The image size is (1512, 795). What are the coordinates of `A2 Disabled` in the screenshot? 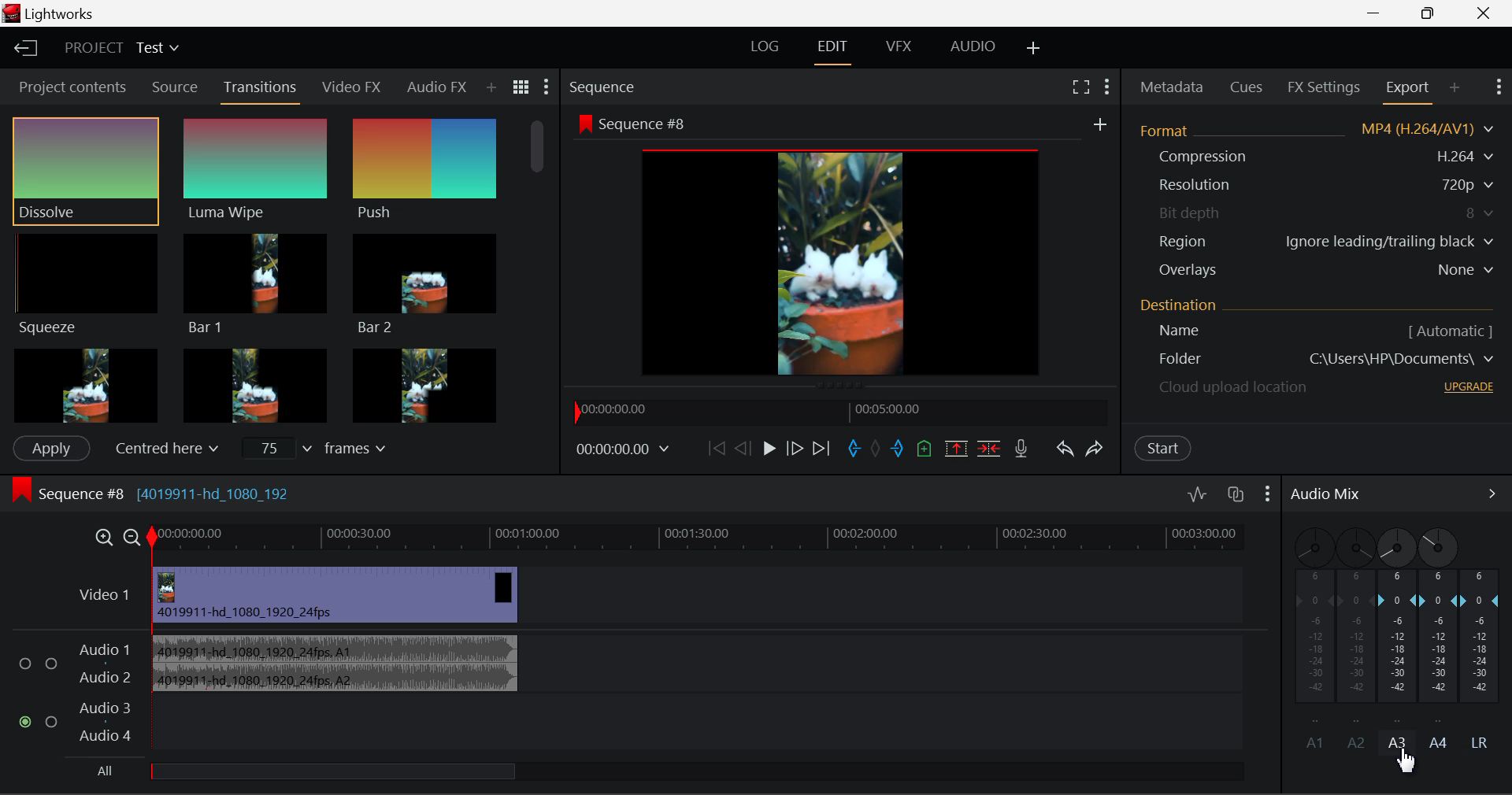 It's located at (1356, 637).